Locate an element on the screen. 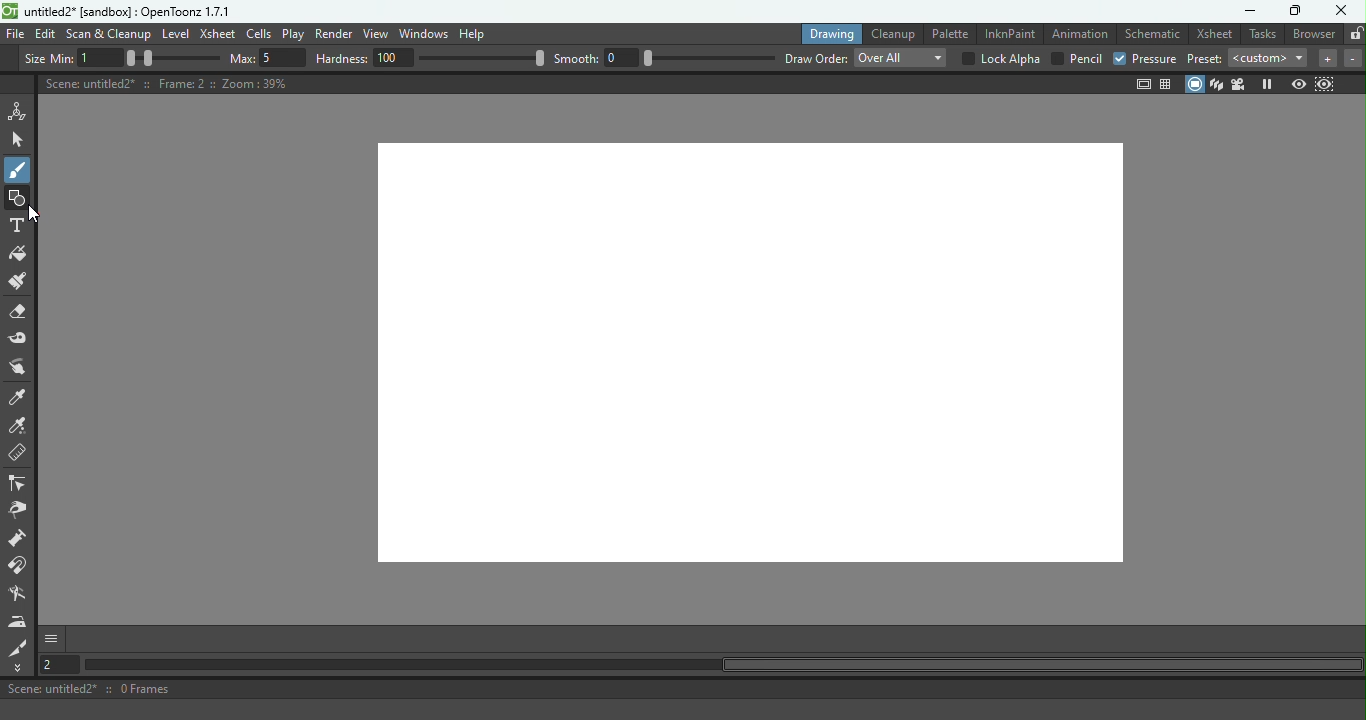 This screenshot has width=1366, height=720. Canvas details is located at coordinates (167, 84).